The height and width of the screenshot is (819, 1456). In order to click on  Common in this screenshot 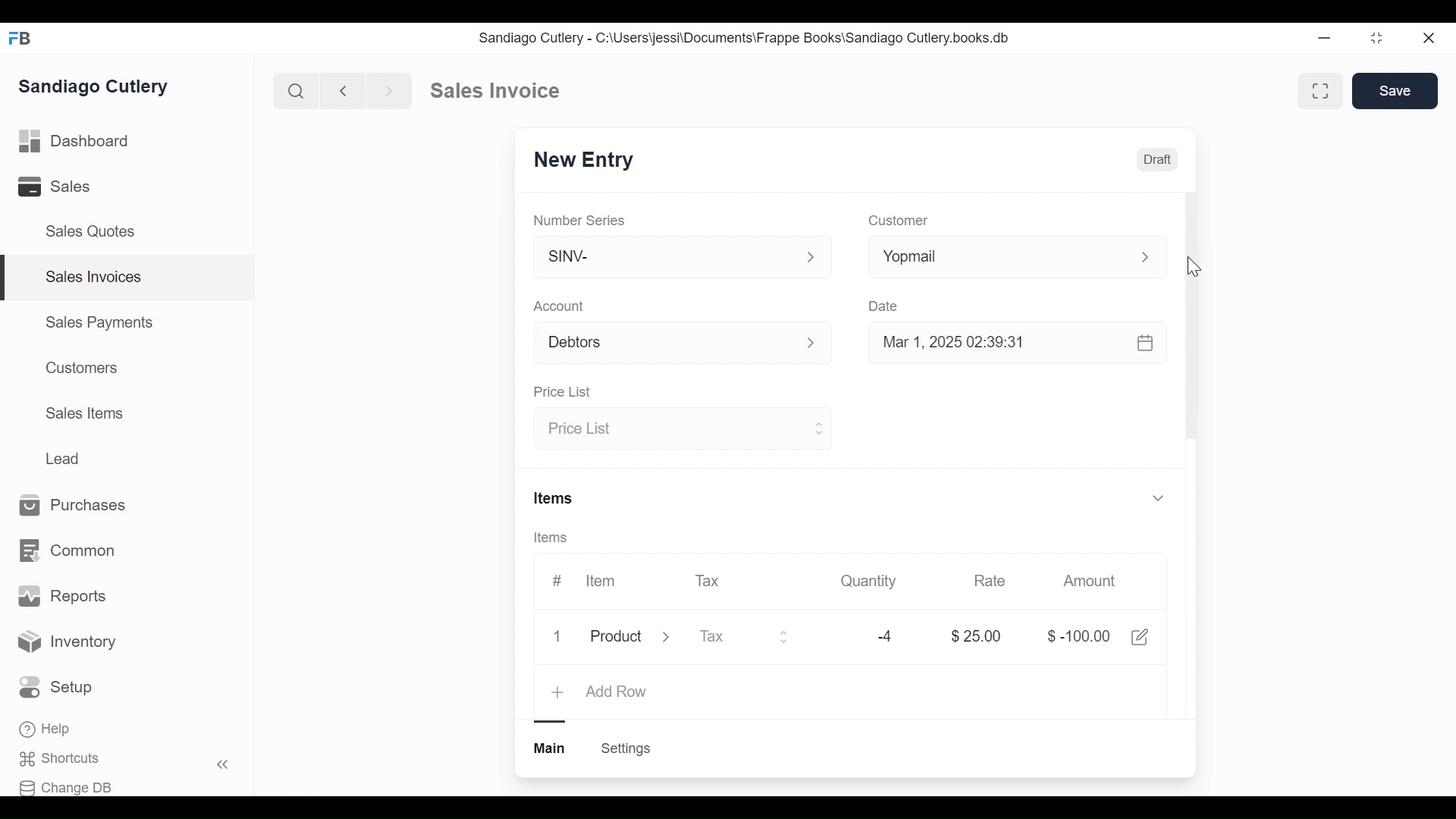, I will do `click(69, 550)`.